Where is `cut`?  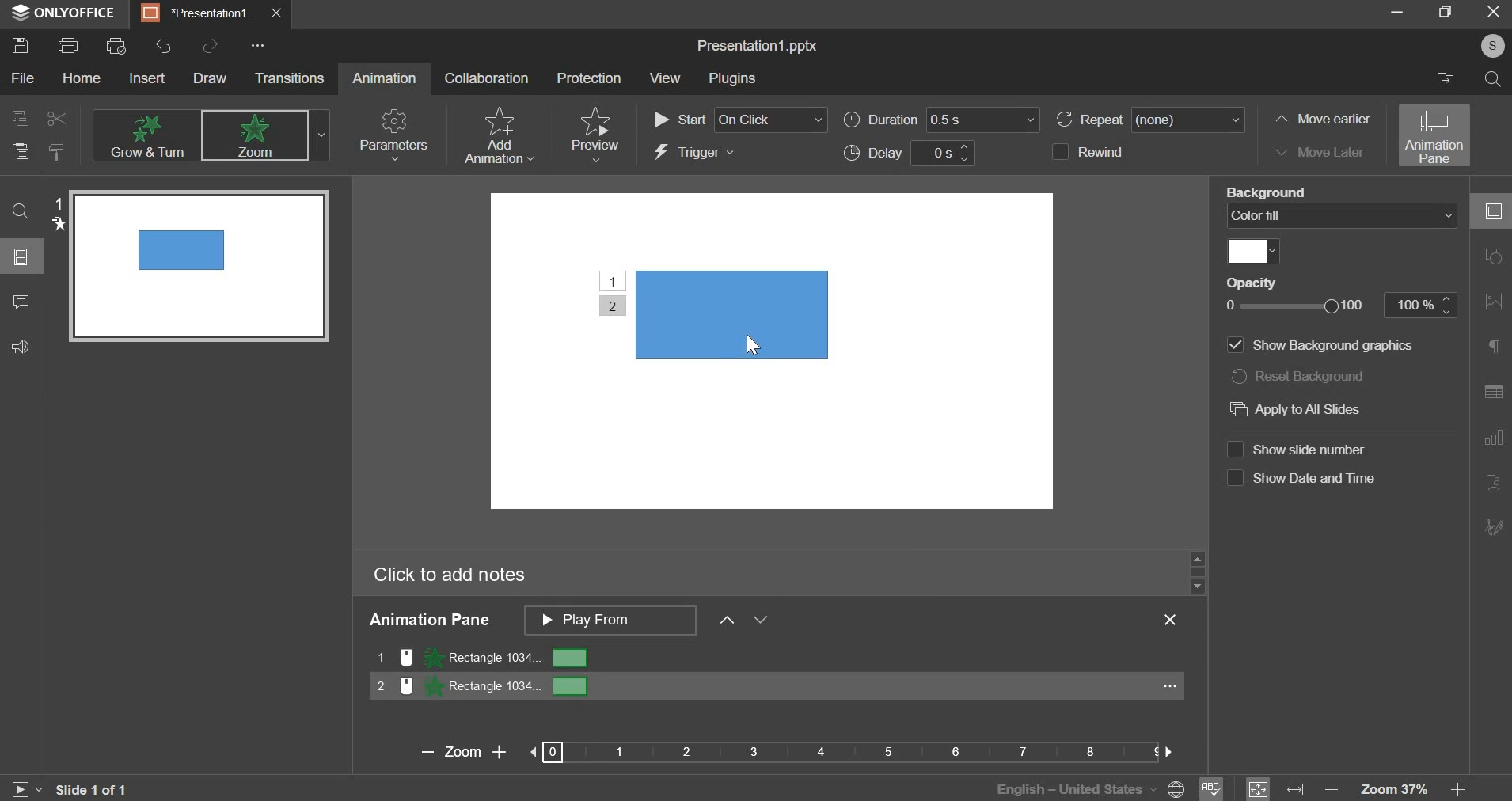
cut is located at coordinates (58, 118).